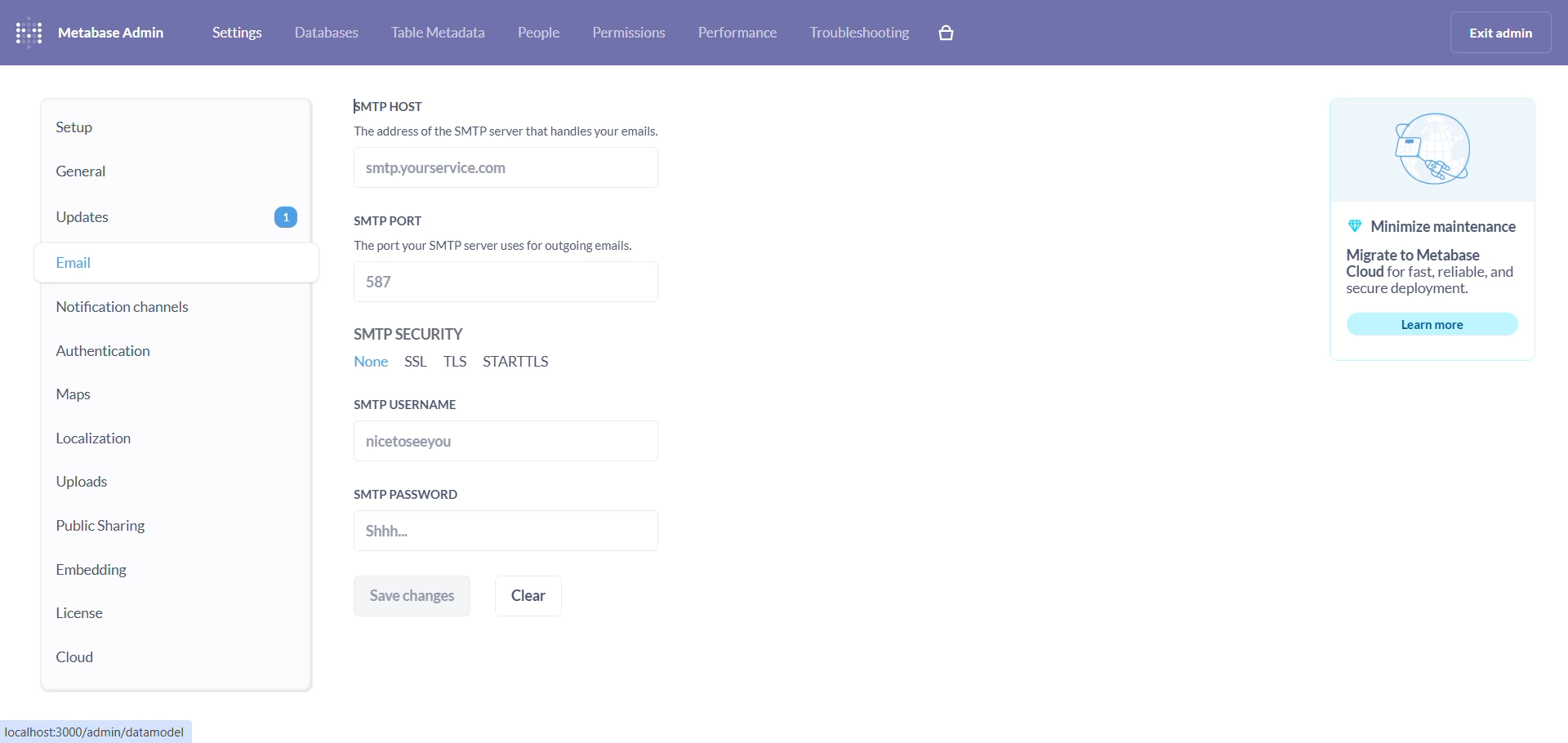 This screenshot has height=743, width=1568. Describe the element at coordinates (145, 482) in the screenshot. I see `uploads` at that location.